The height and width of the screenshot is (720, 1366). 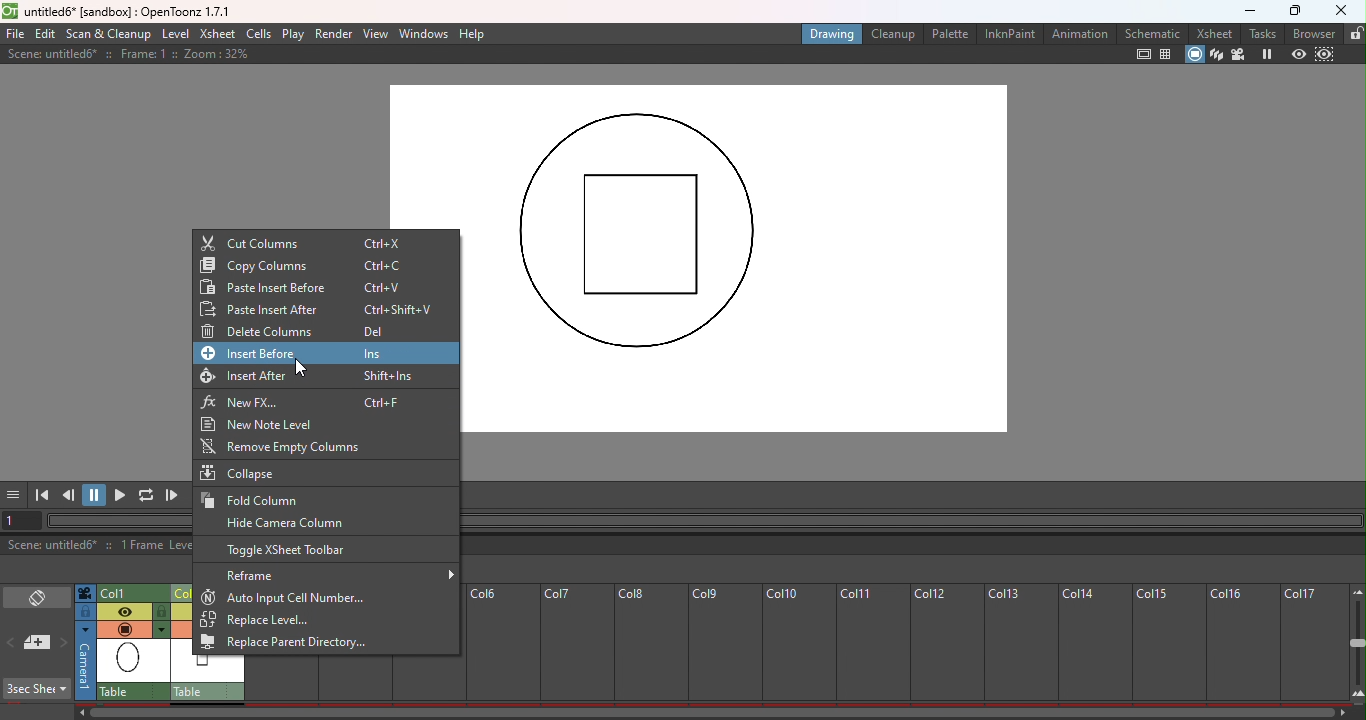 I want to click on Table, so click(x=208, y=691).